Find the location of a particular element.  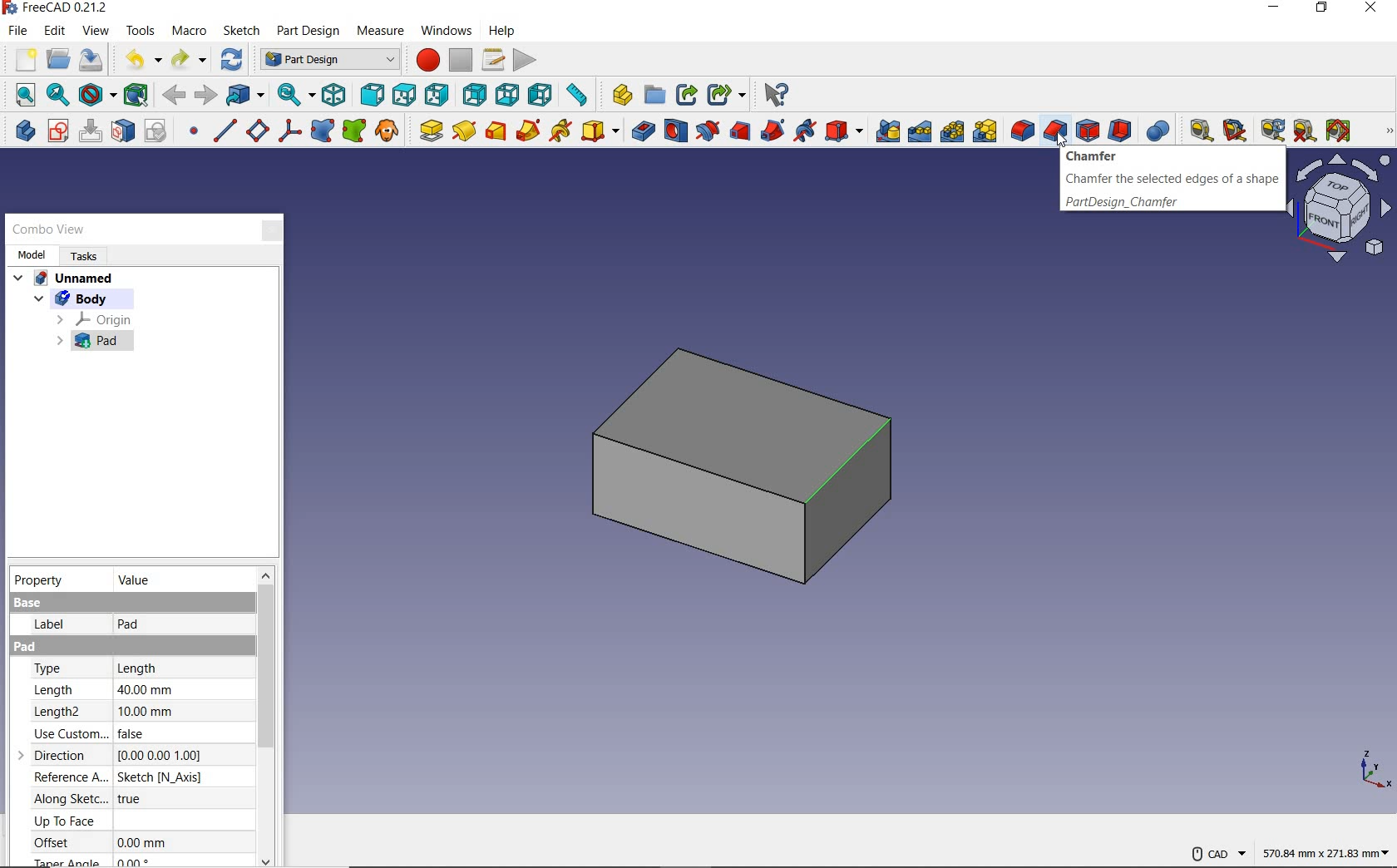

tasks is located at coordinates (87, 257).